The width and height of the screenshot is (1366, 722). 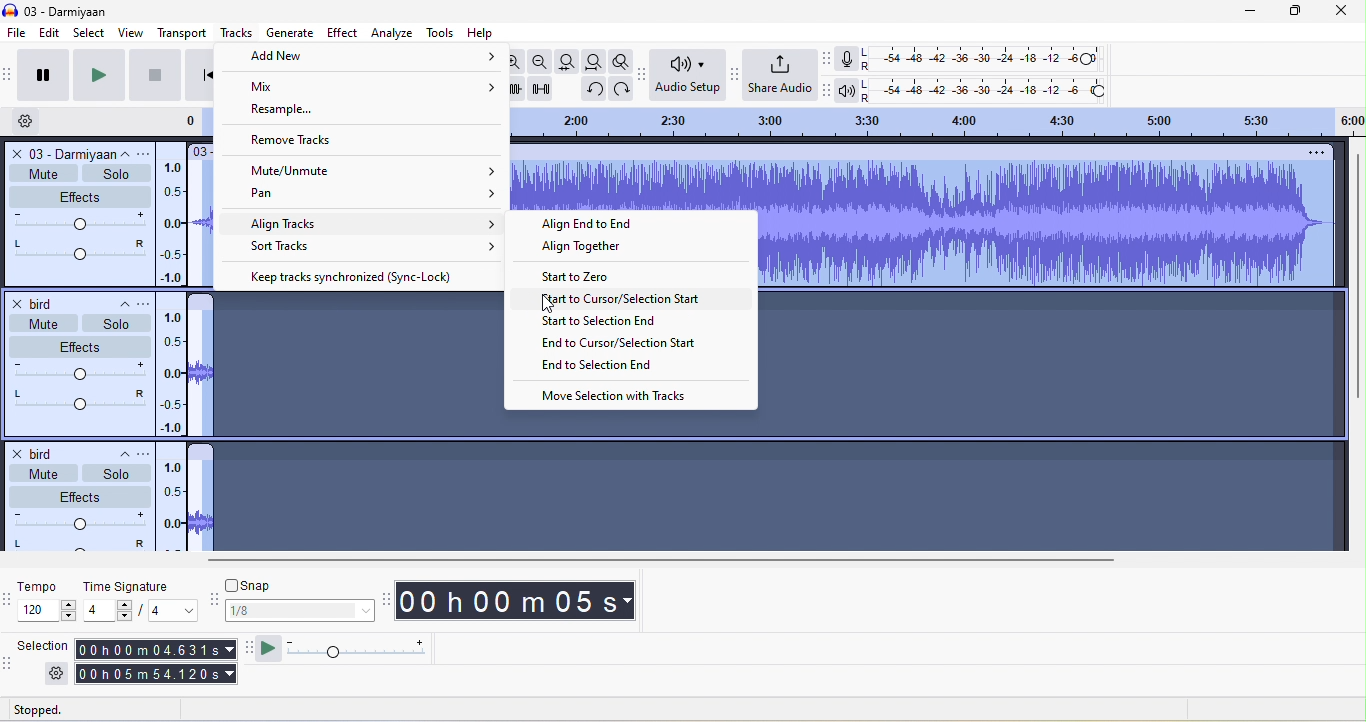 I want to click on zoom toggle, so click(x=622, y=59).